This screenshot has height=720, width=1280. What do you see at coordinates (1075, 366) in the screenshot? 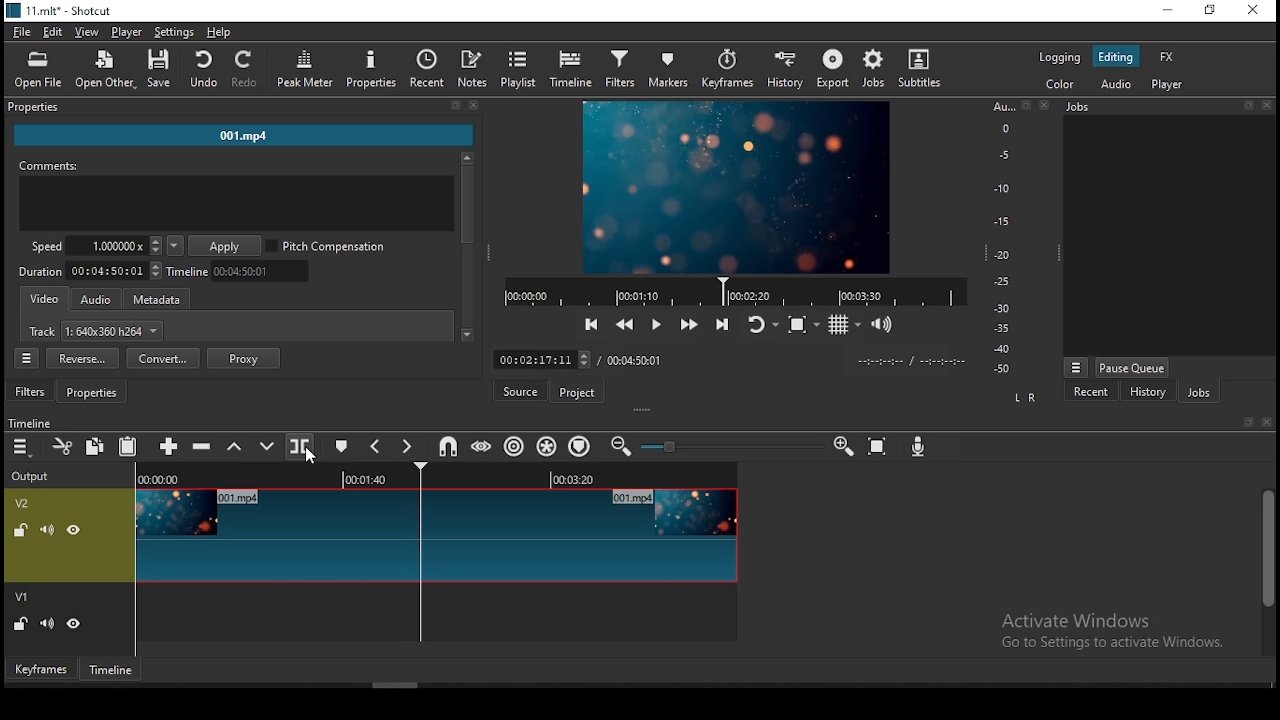
I see `MORE OPTIONS` at bounding box center [1075, 366].